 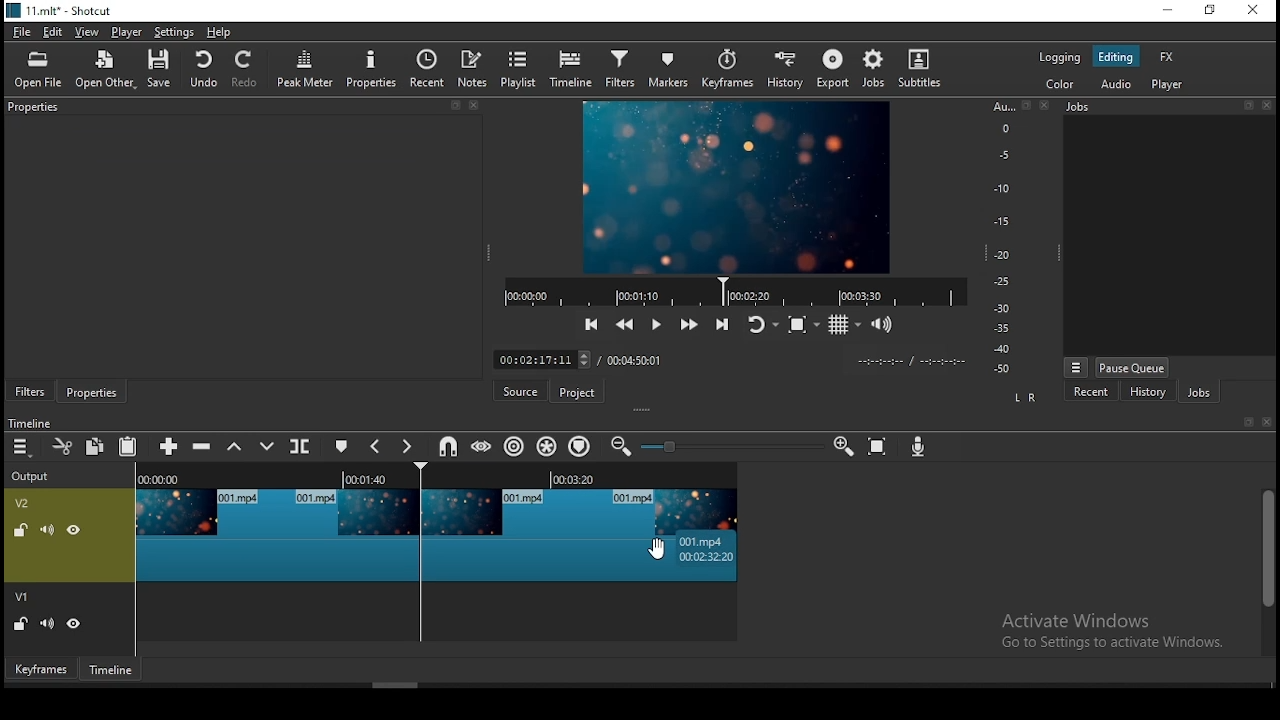 What do you see at coordinates (131, 33) in the screenshot?
I see `player` at bounding box center [131, 33].